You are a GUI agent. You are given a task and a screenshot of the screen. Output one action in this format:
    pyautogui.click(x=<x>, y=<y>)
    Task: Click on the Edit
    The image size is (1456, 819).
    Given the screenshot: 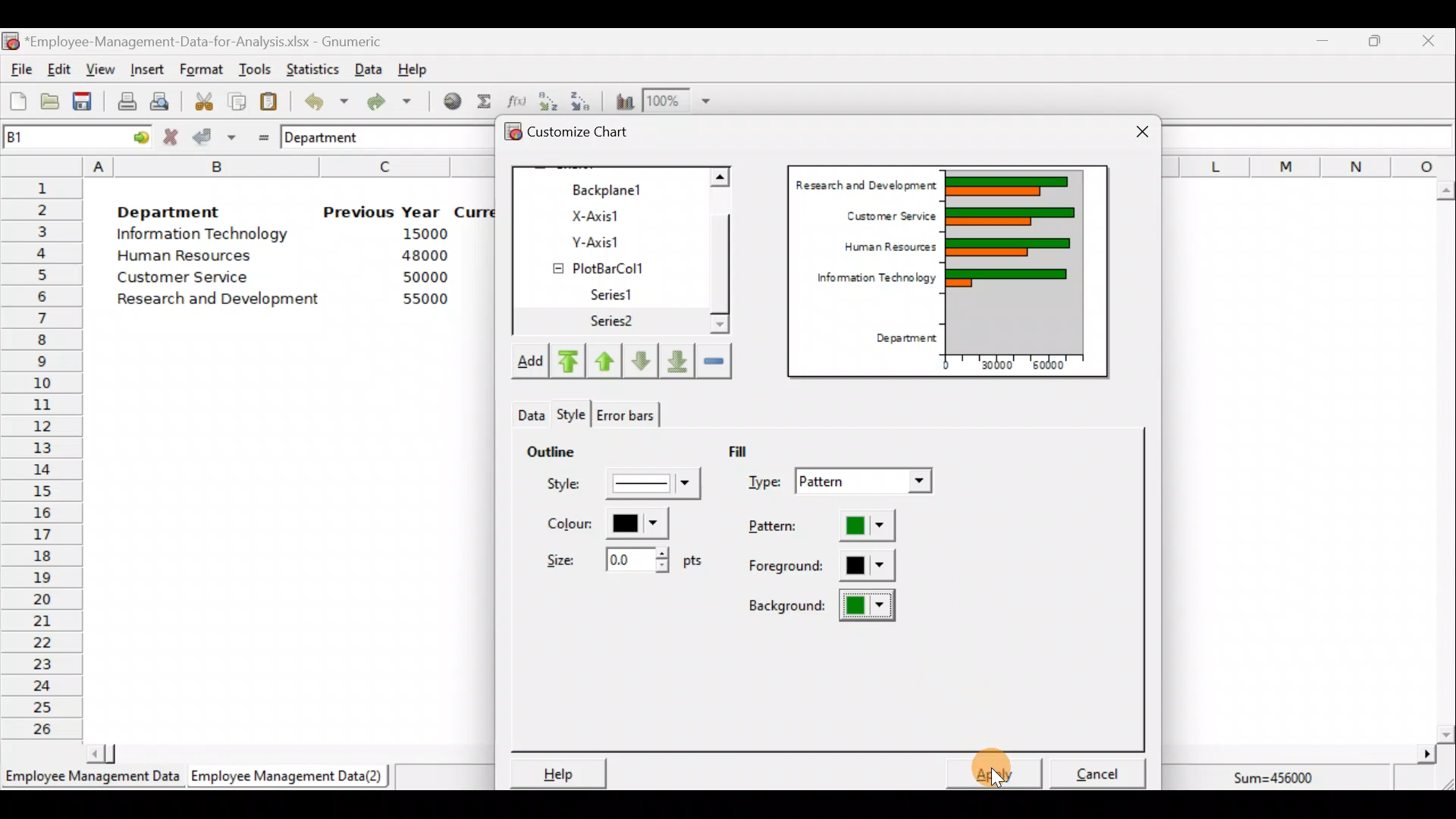 What is the action you would take?
    pyautogui.click(x=60, y=71)
    